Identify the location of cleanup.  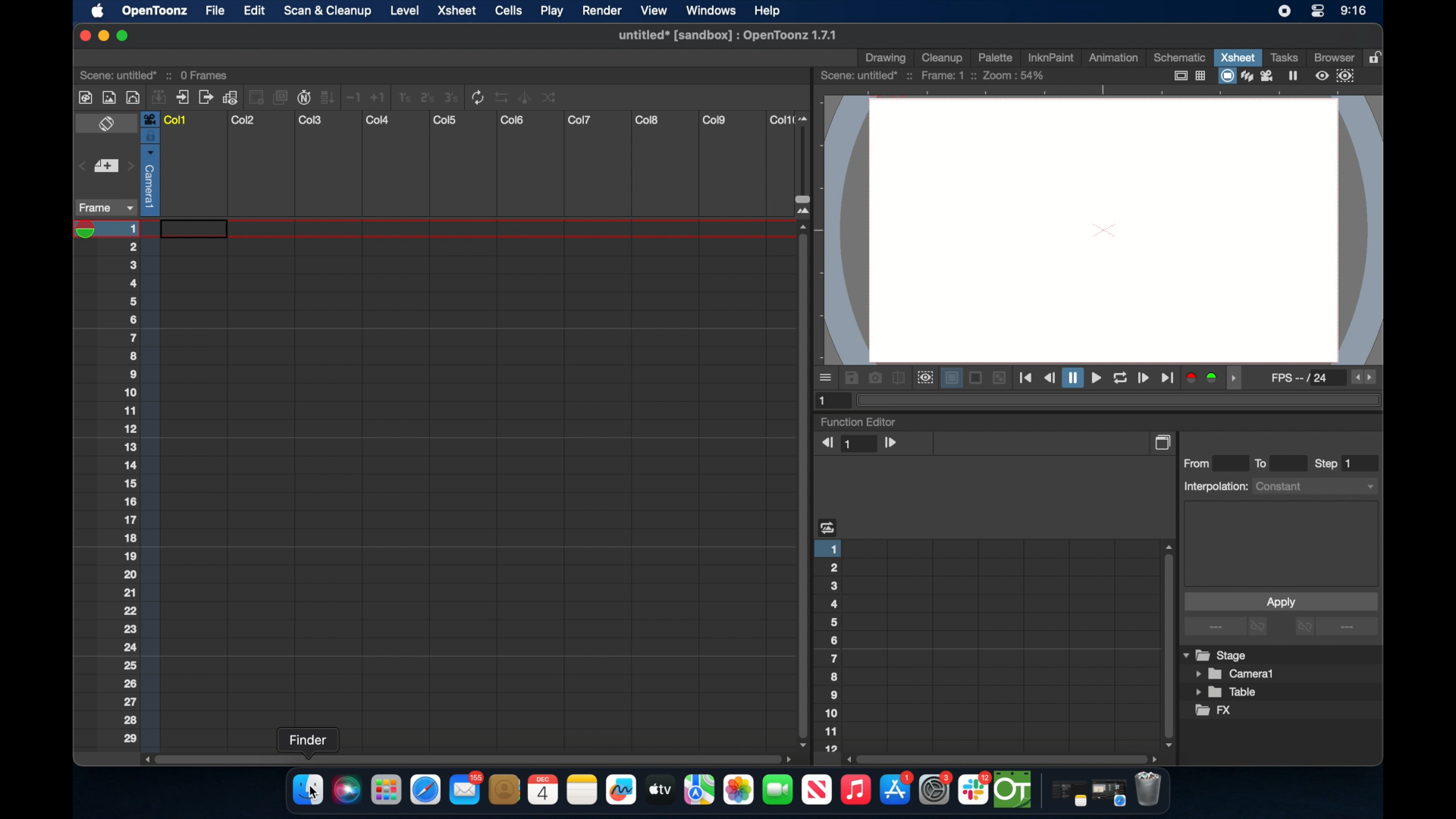
(943, 56).